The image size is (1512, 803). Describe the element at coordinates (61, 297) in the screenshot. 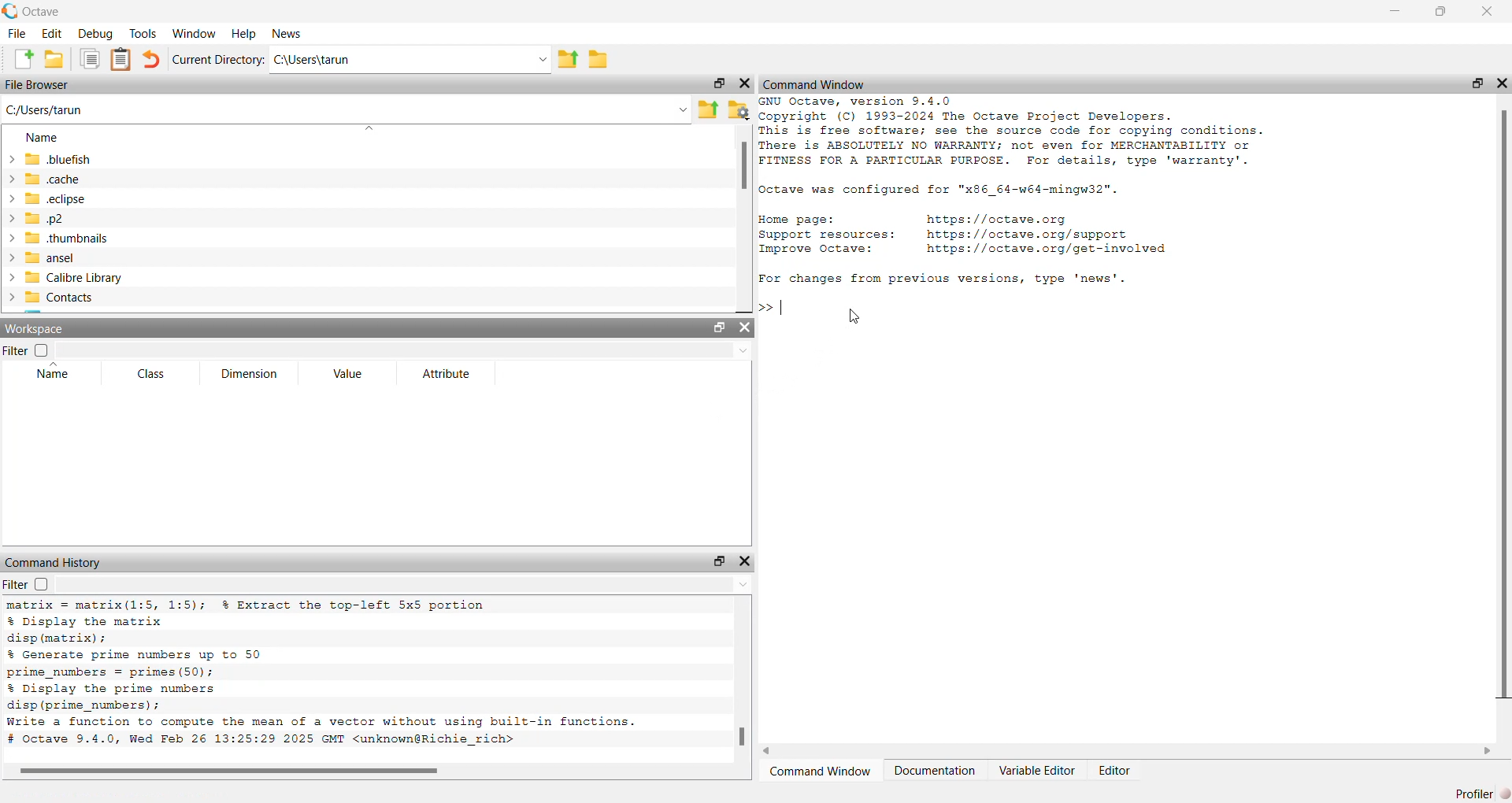

I see `contacts` at that location.